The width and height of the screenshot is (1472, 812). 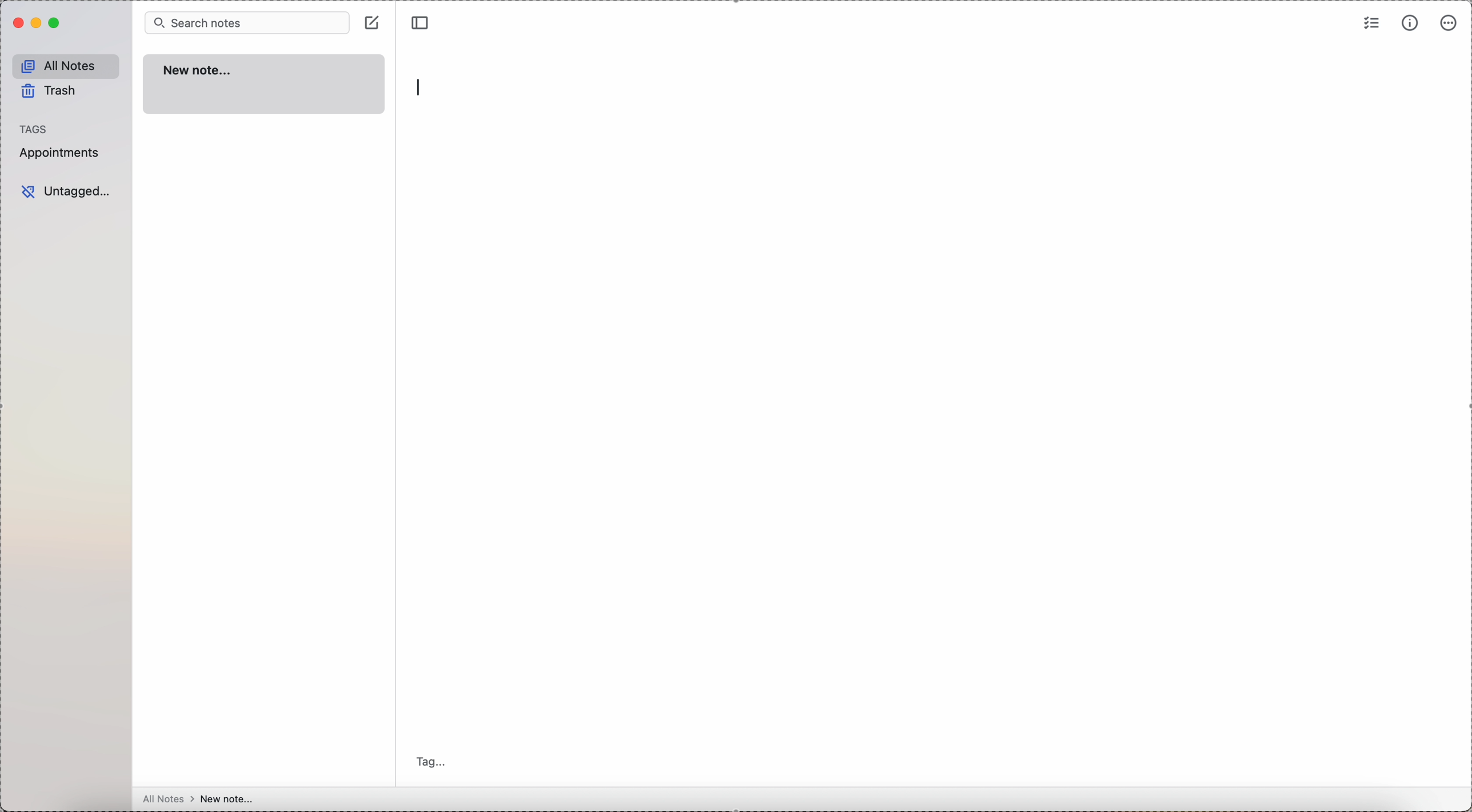 I want to click on search bar, so click(x=247, y=22).